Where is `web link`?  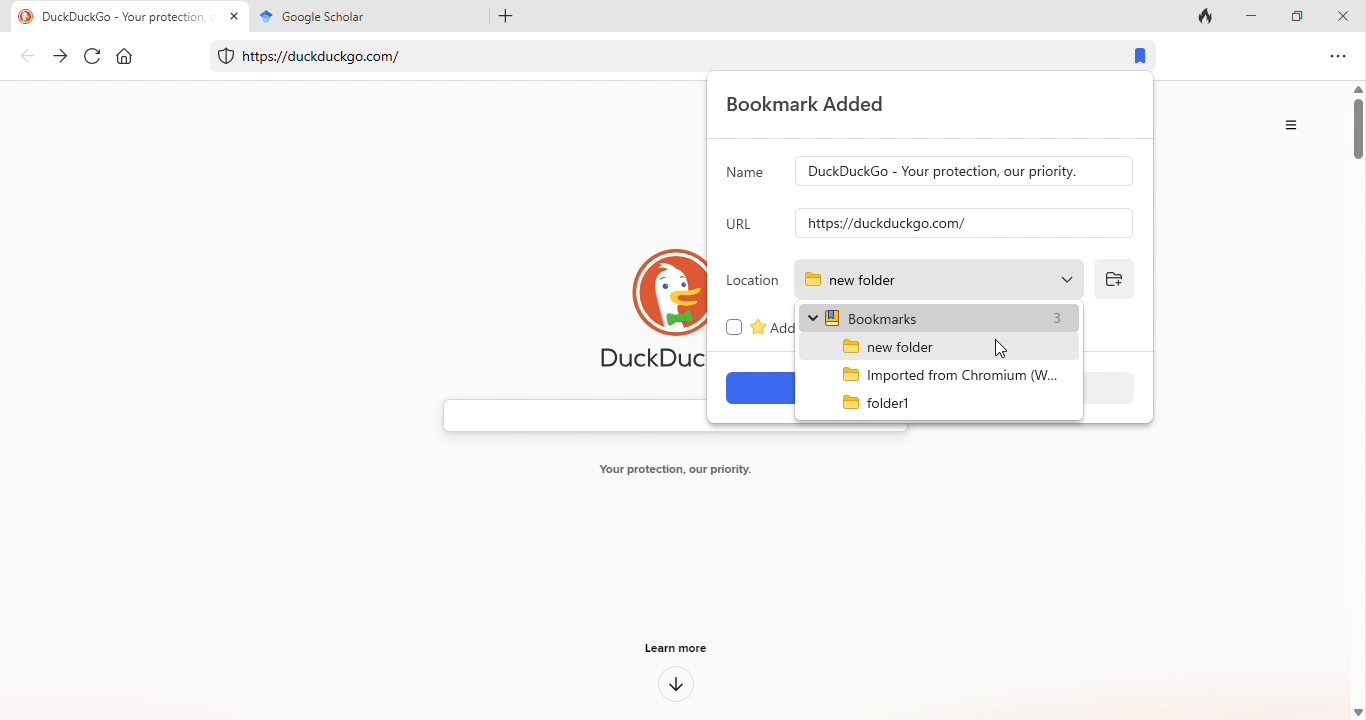 web link is located at coordinates (652, 52).